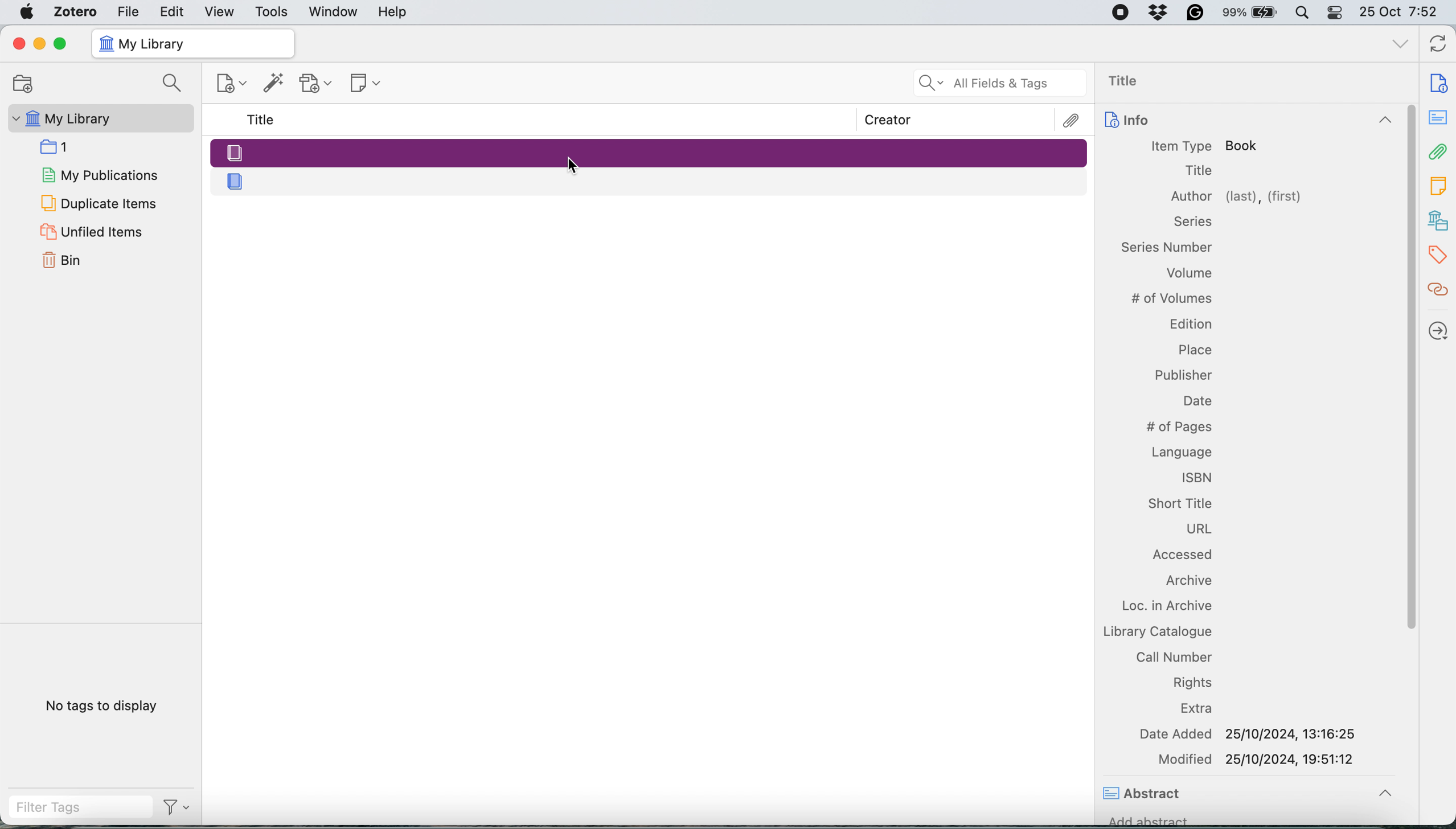  What do you see at coordinates (1409, 436) in the screenshot?
I see `Scroll Bar` at bounding box center [1409, 436].